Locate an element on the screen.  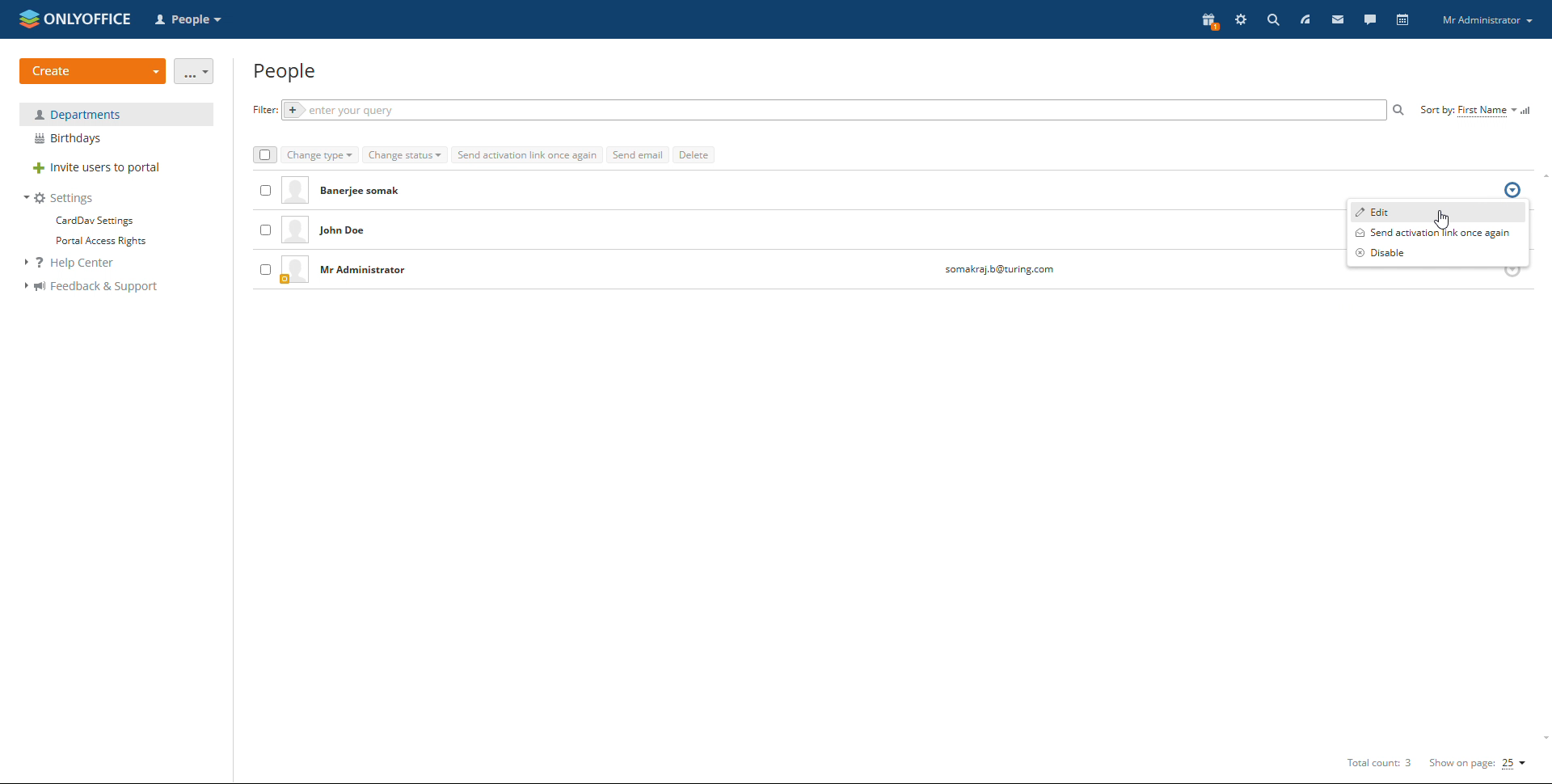
search is located at coordinates (1273, 19).